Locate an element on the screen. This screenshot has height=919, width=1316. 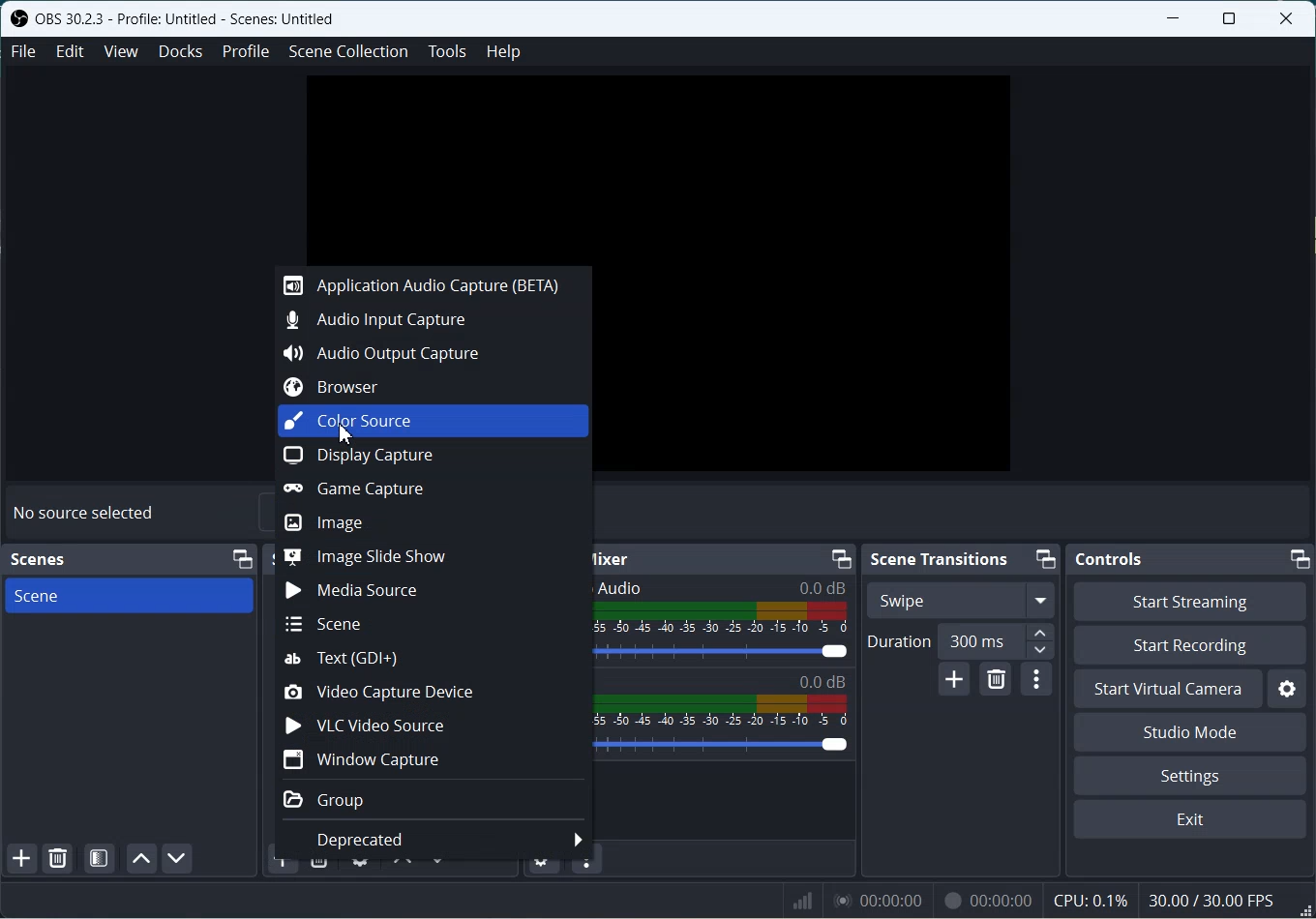
300 ms is located at coordinates (998, 642).